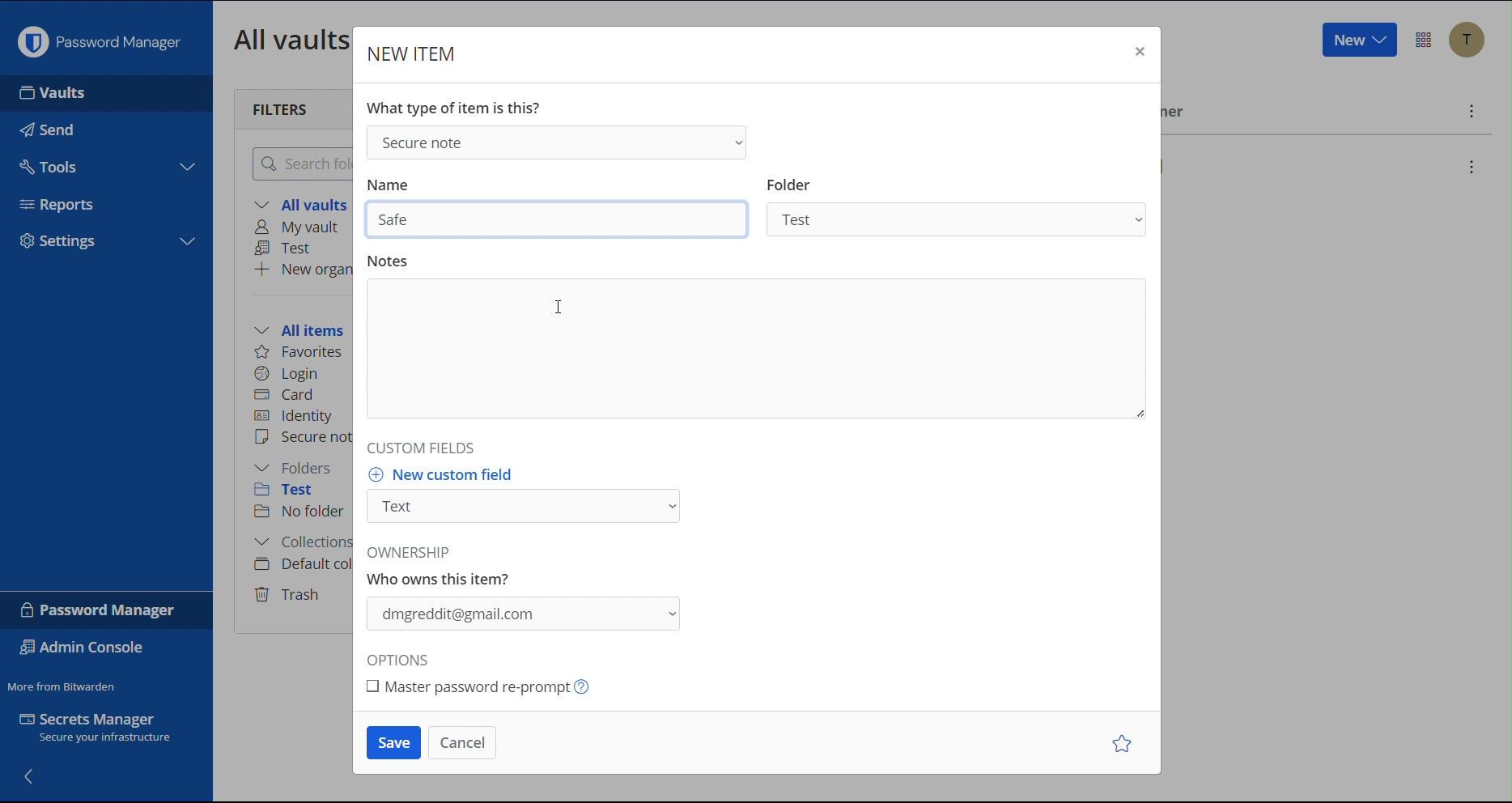 The height and width of the screenshot is (803, 1512). What do you see at coordinates (560, 306) in the screenshot?
I see `Cursor` at bounding box center [560, 306].